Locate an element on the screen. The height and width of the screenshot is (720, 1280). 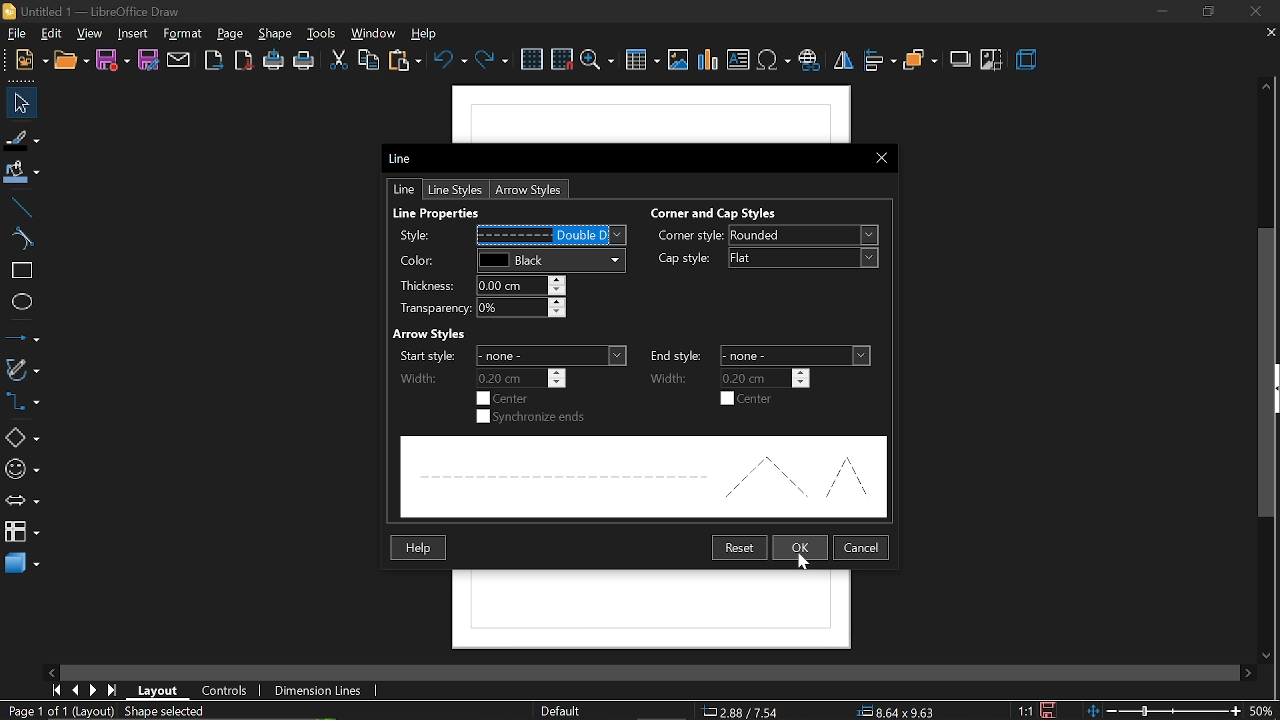
scaling factor (1:1) is located at coordinates (1027, 711).